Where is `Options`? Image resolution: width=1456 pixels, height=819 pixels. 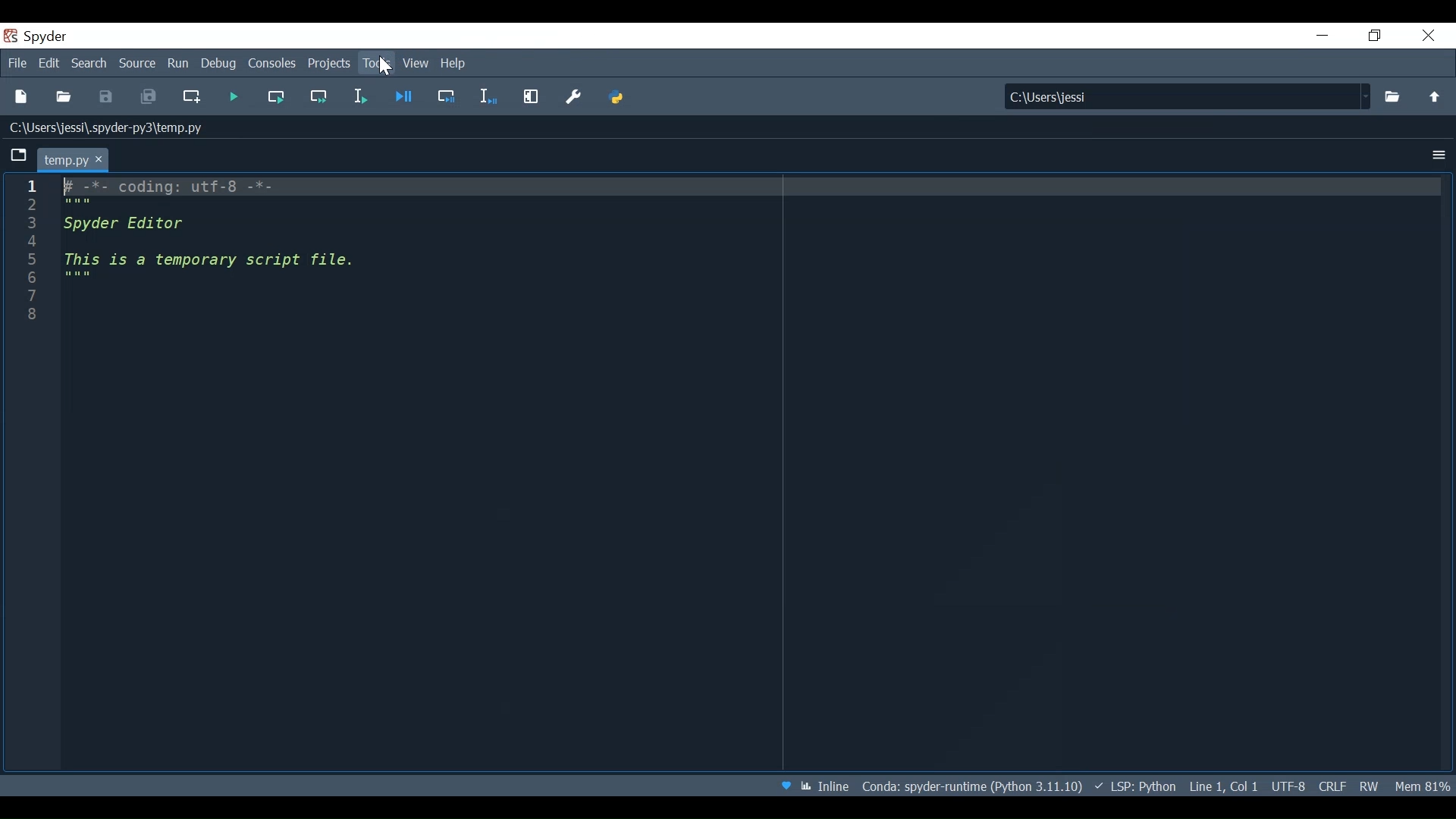
Options is located at coordinates (1441, 156).